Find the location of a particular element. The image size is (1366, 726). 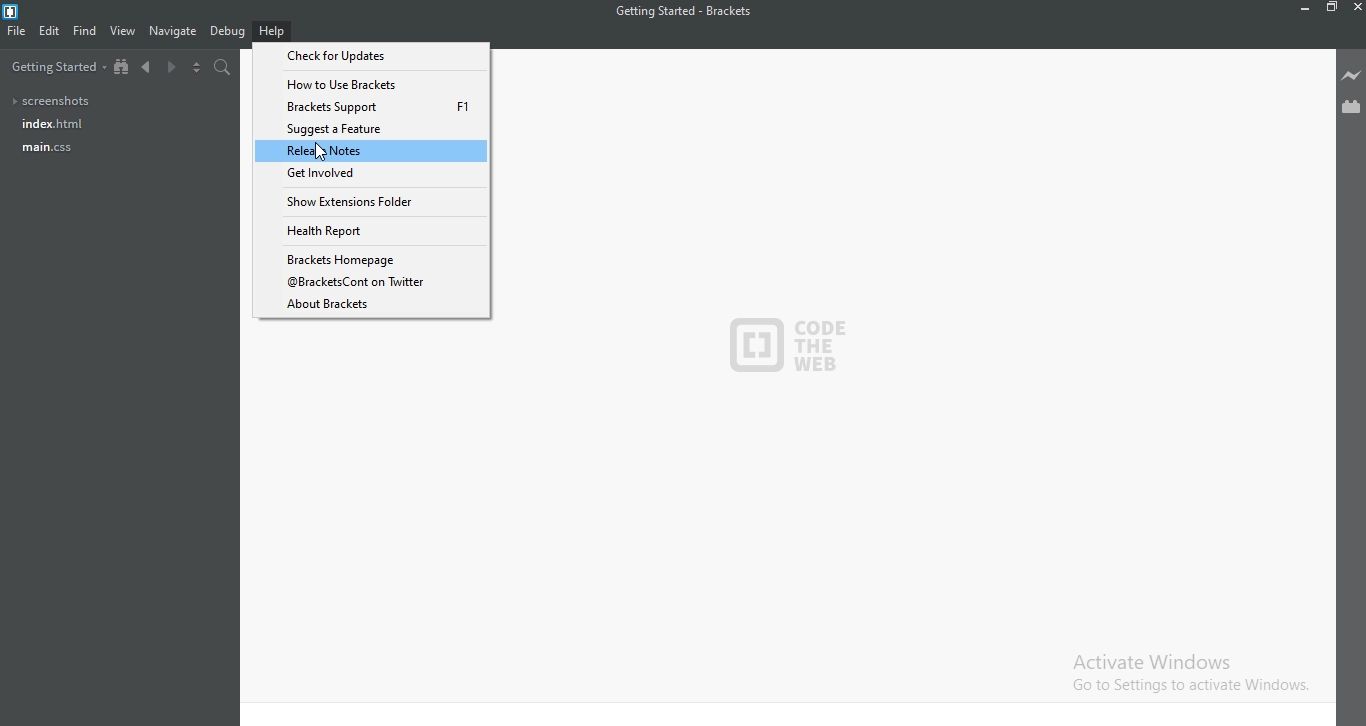

Index.html is located at coordinates (59, 125).